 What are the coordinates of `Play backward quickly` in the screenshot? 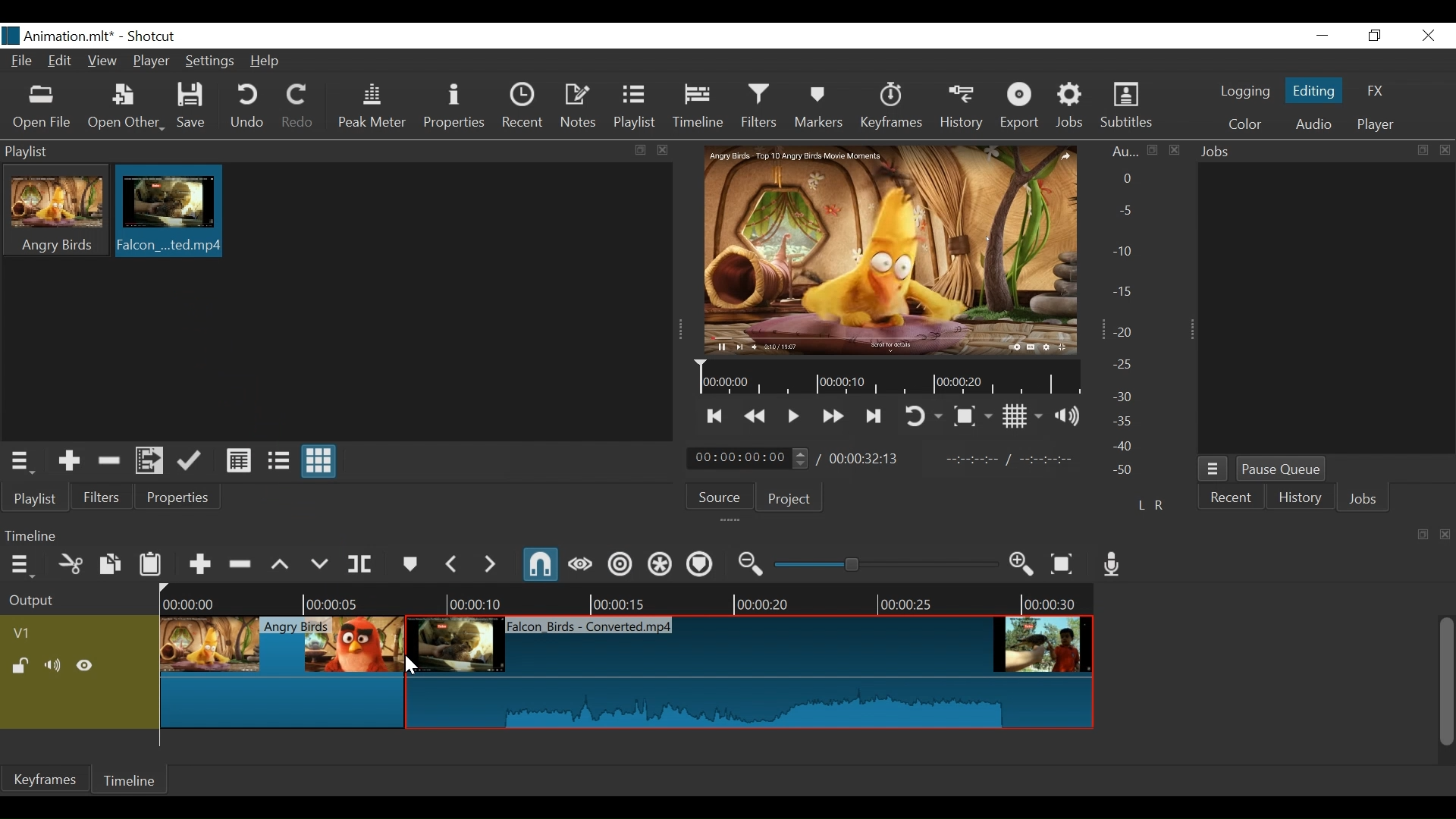 It's located at (754, 417).